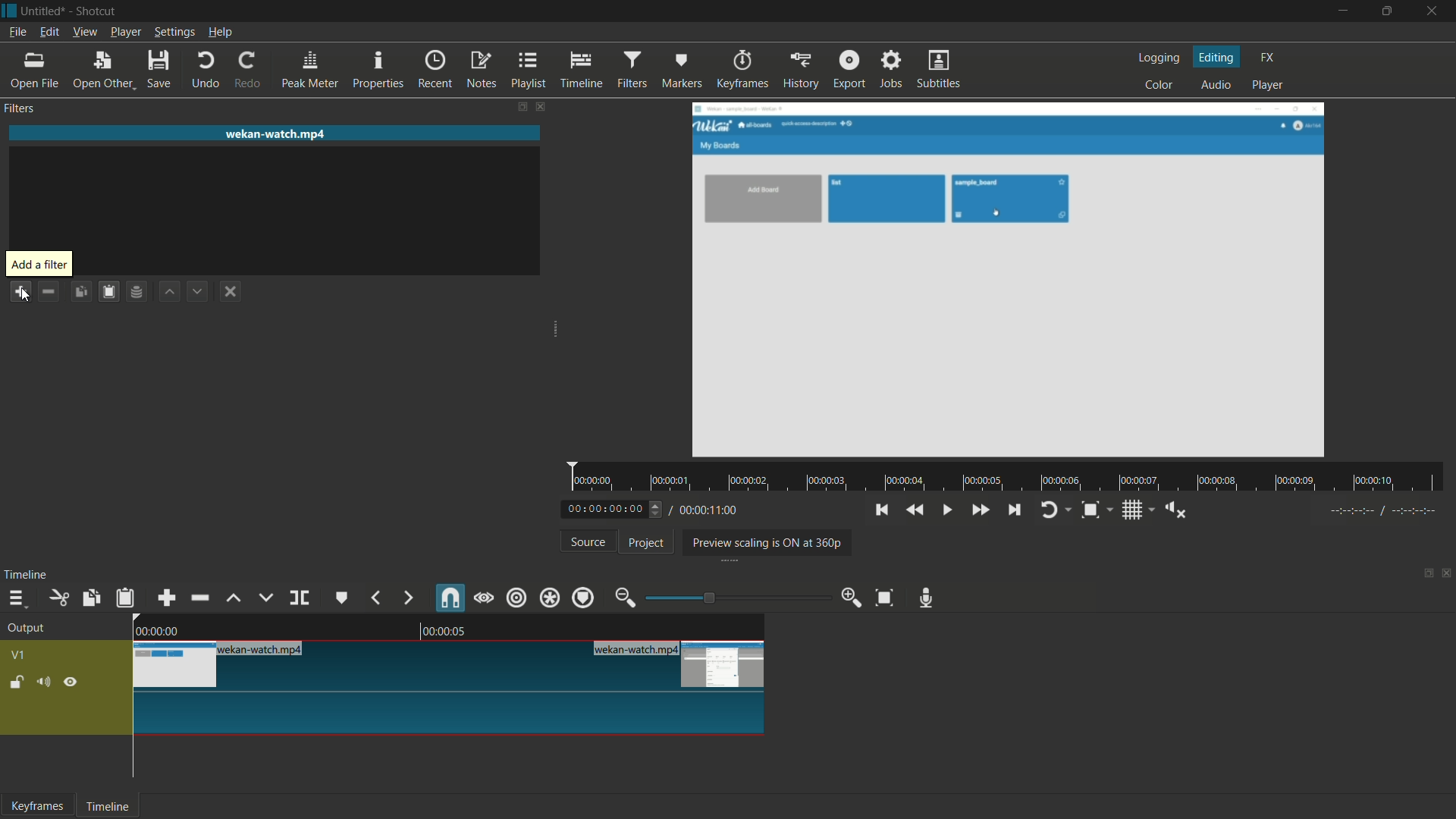 The width and height of the screenshot is (1456, 819). I want to click on open other, so click(103, 71).